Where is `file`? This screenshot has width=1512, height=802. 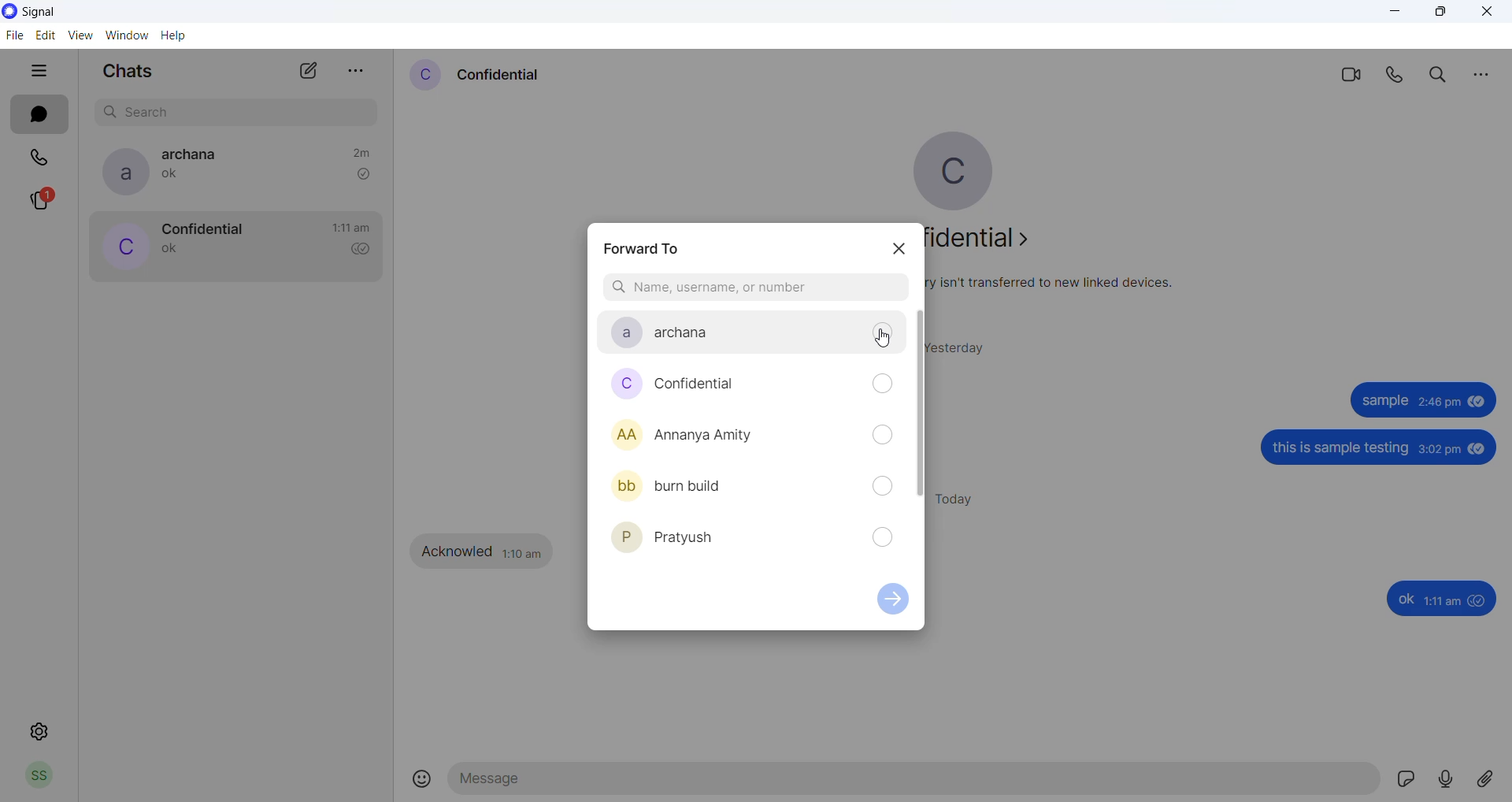
file is located at coordinates (13, 37).